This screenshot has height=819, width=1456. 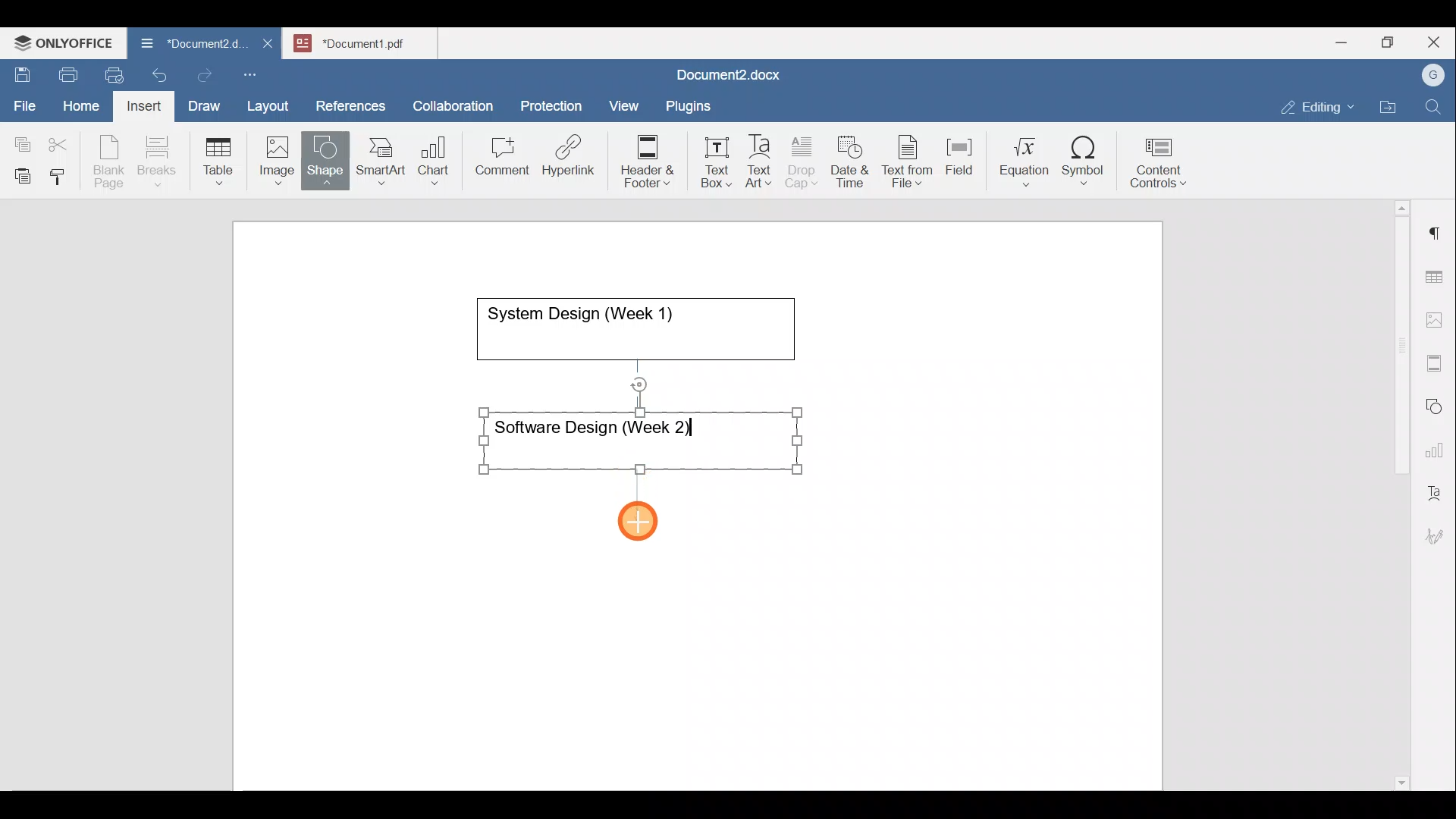 What do you see at coordinates (640, 522) in the screenshot?
I see `Cursor` at bounding box center [640, 522].